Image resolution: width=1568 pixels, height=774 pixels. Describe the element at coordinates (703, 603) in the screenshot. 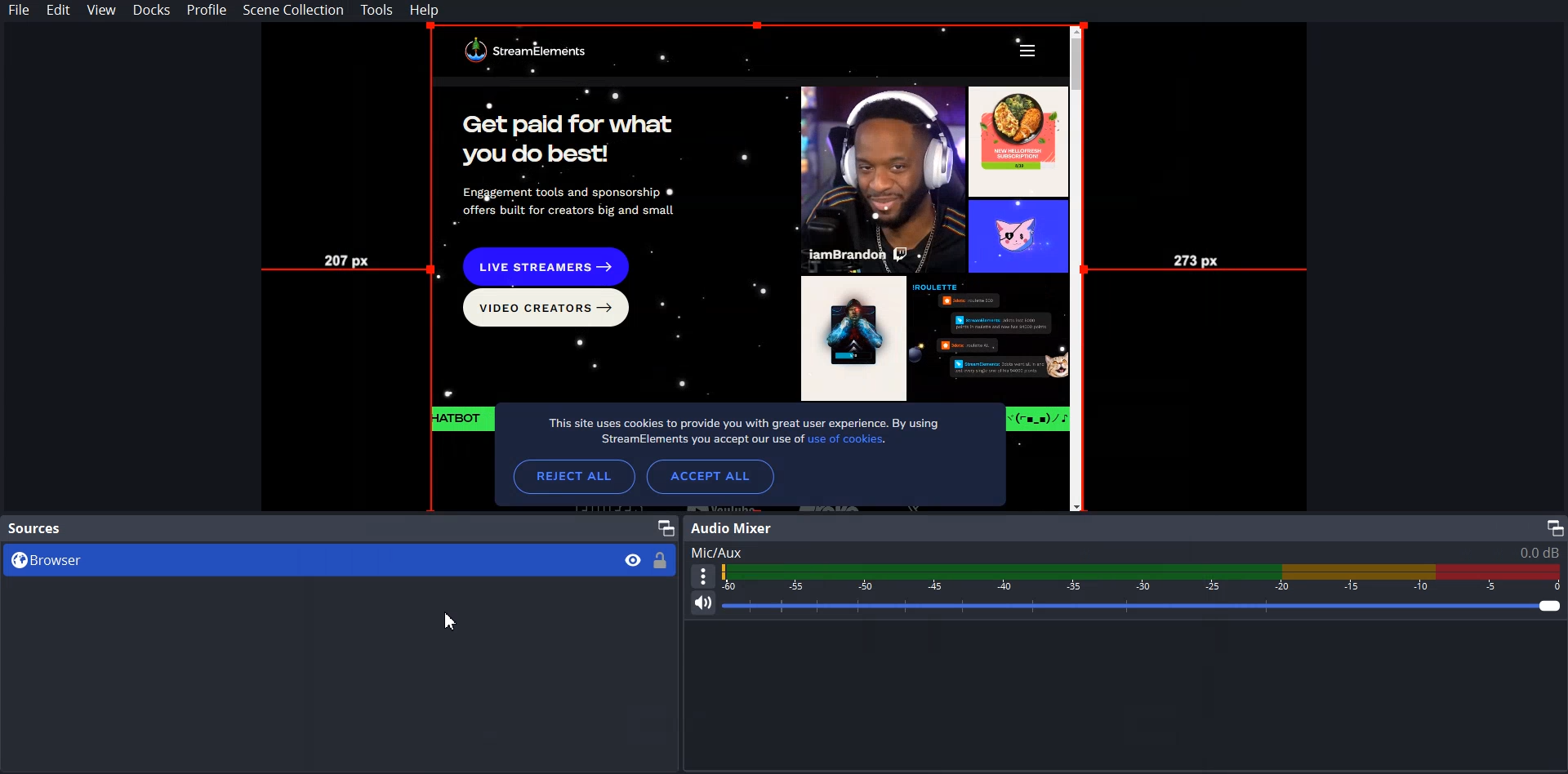

I see `Mute` at that location.